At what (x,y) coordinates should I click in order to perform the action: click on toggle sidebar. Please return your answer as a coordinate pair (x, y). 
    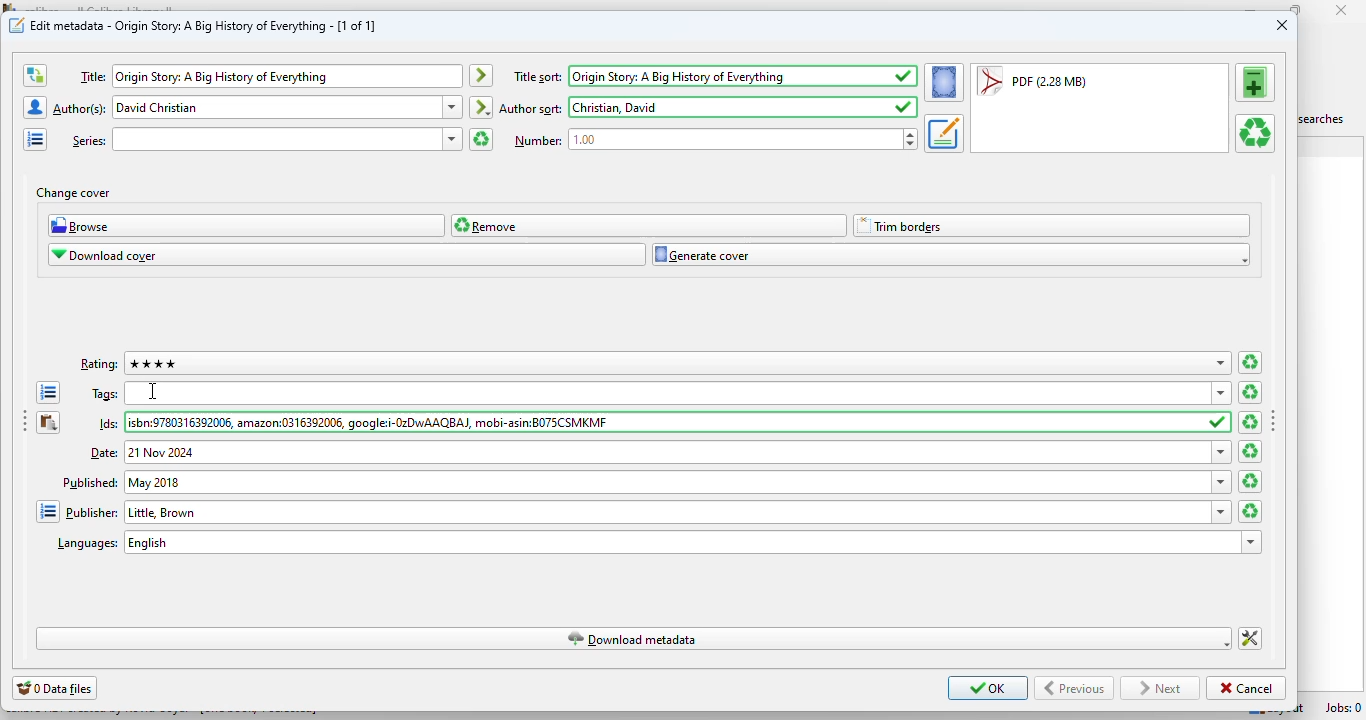
    Looking at the image, I should click on (22, 423).